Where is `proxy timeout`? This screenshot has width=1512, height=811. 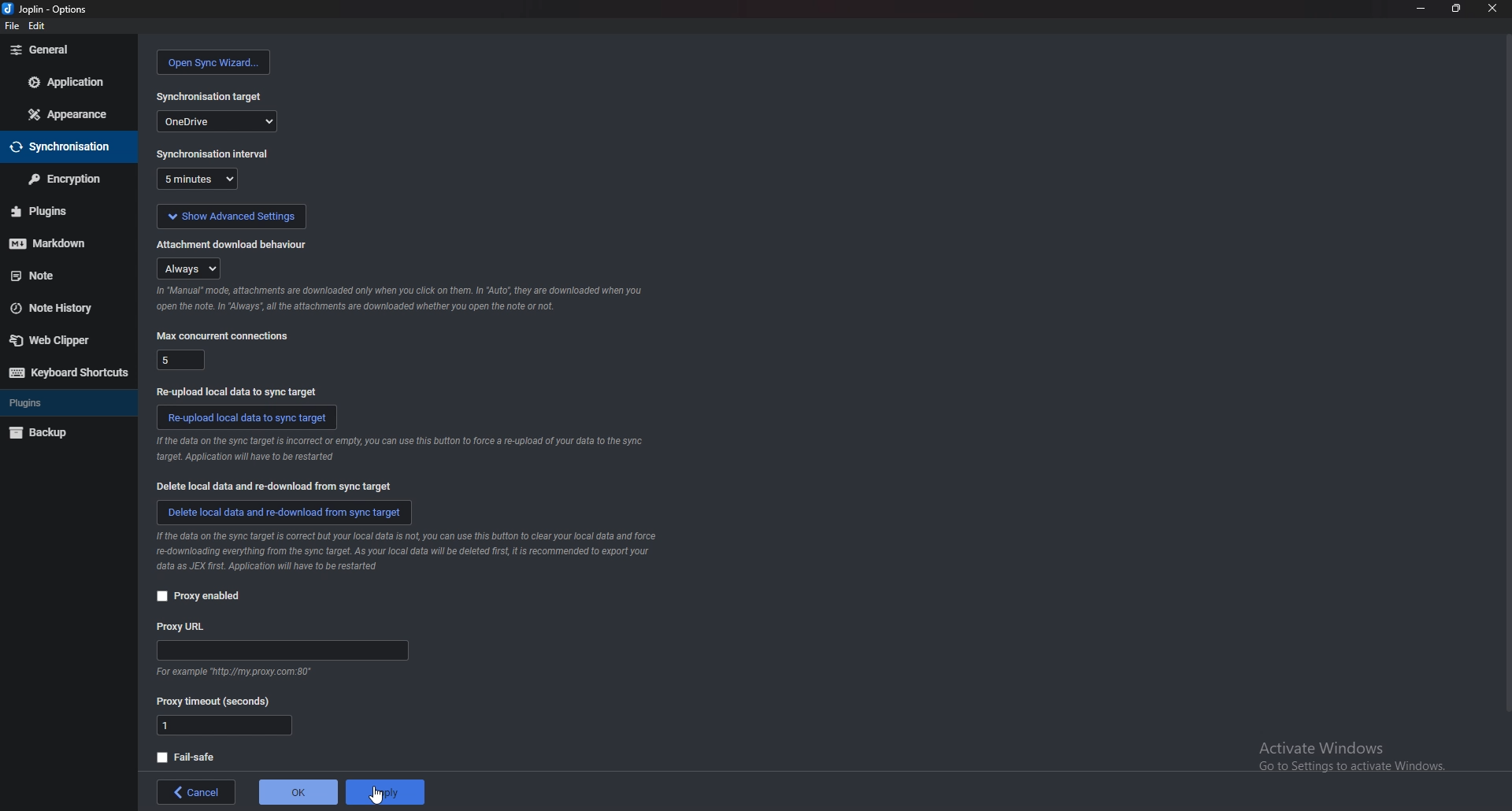
proxy timeout is located at coordinates (215, 702).